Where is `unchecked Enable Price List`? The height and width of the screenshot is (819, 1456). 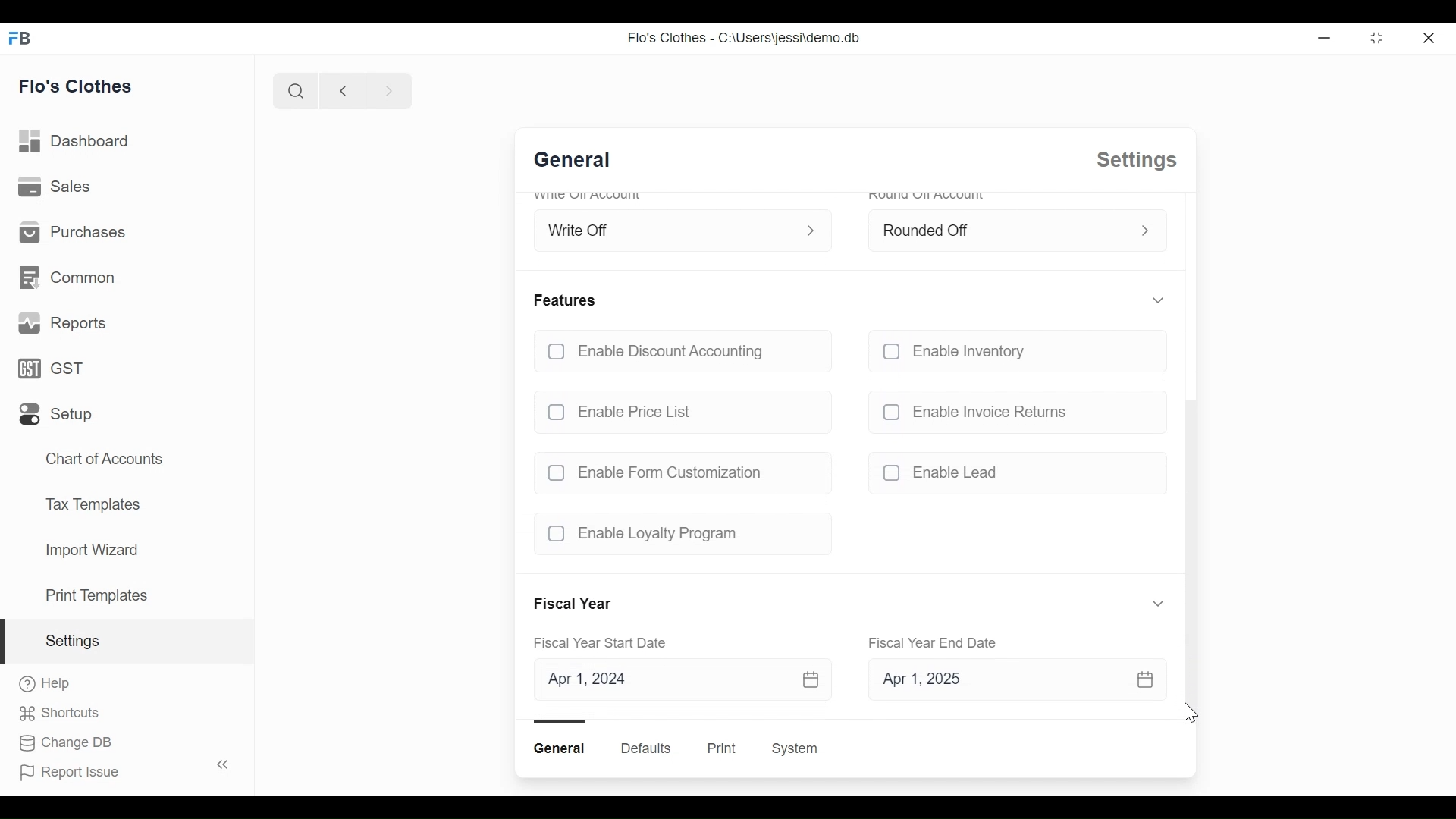
unchecked Enable Price List is located at coordinates (681, 408).